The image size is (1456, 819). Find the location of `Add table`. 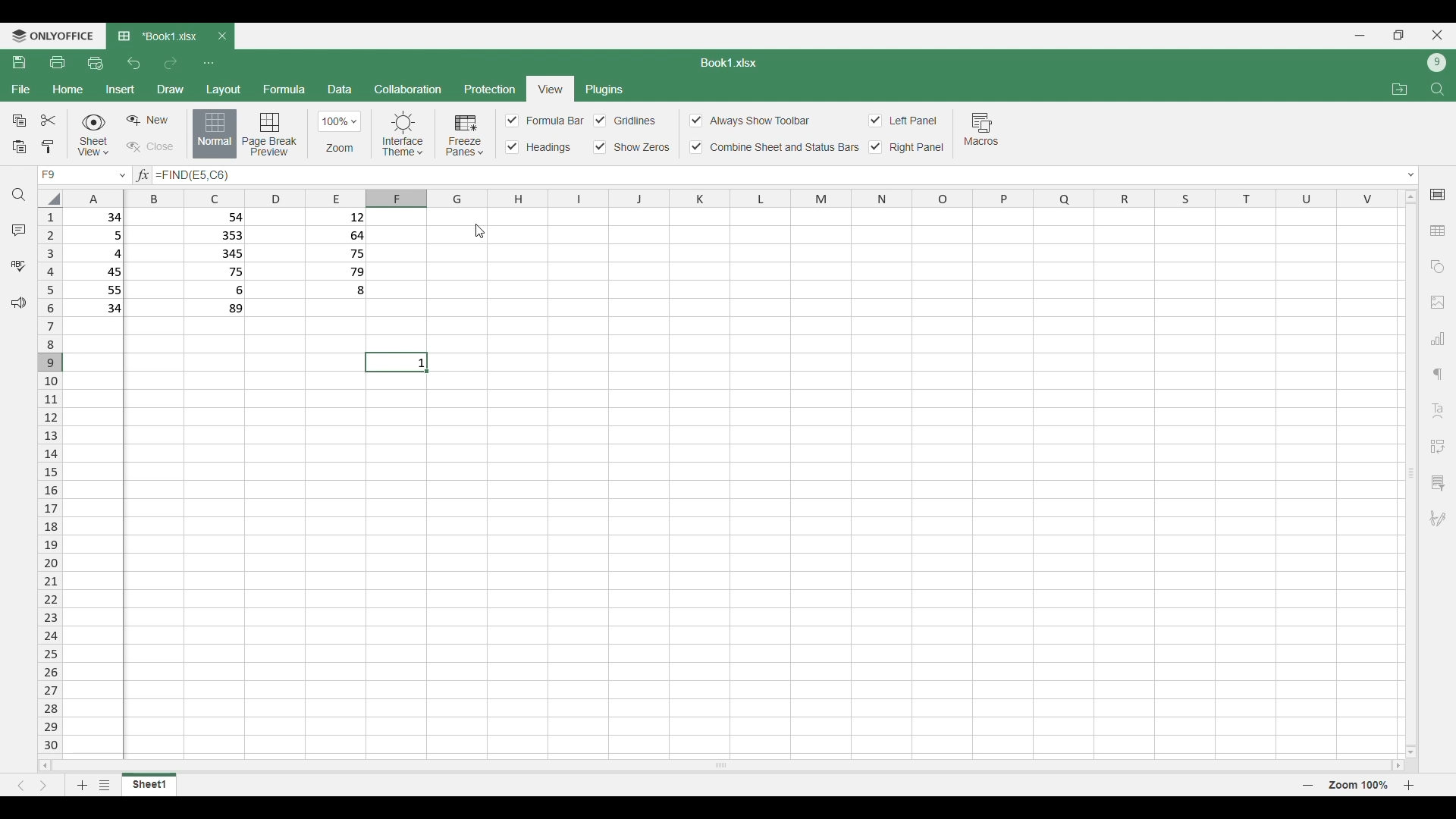

Add table is located at coordinates (1438, 231).